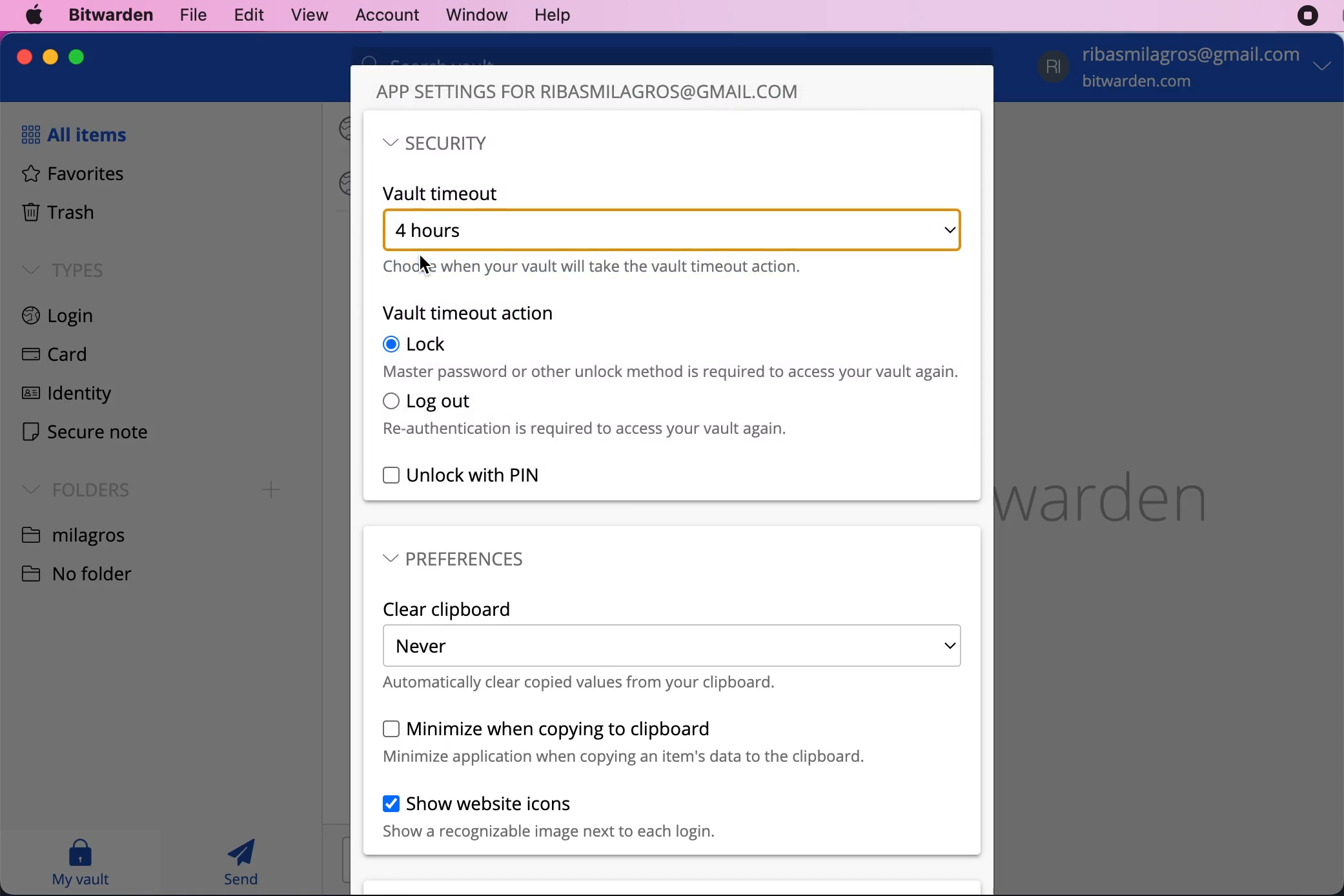 This screenshot has height=896, width=1344. What do you see at coordinates (552, 16) in the screenshot?
I see `help` at bounding box center [552, 16].